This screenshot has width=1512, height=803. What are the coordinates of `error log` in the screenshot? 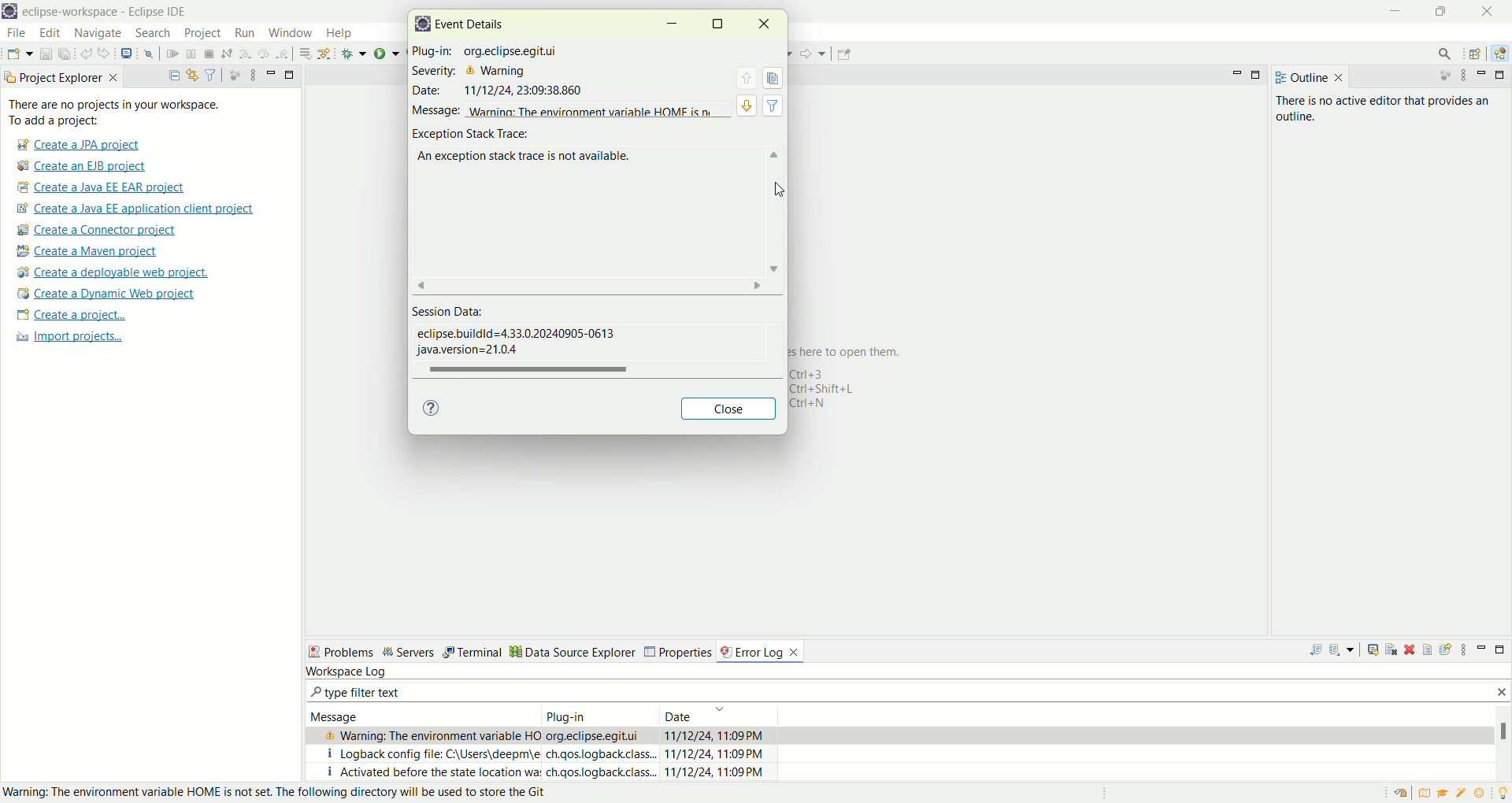 It's located at (769, 650).